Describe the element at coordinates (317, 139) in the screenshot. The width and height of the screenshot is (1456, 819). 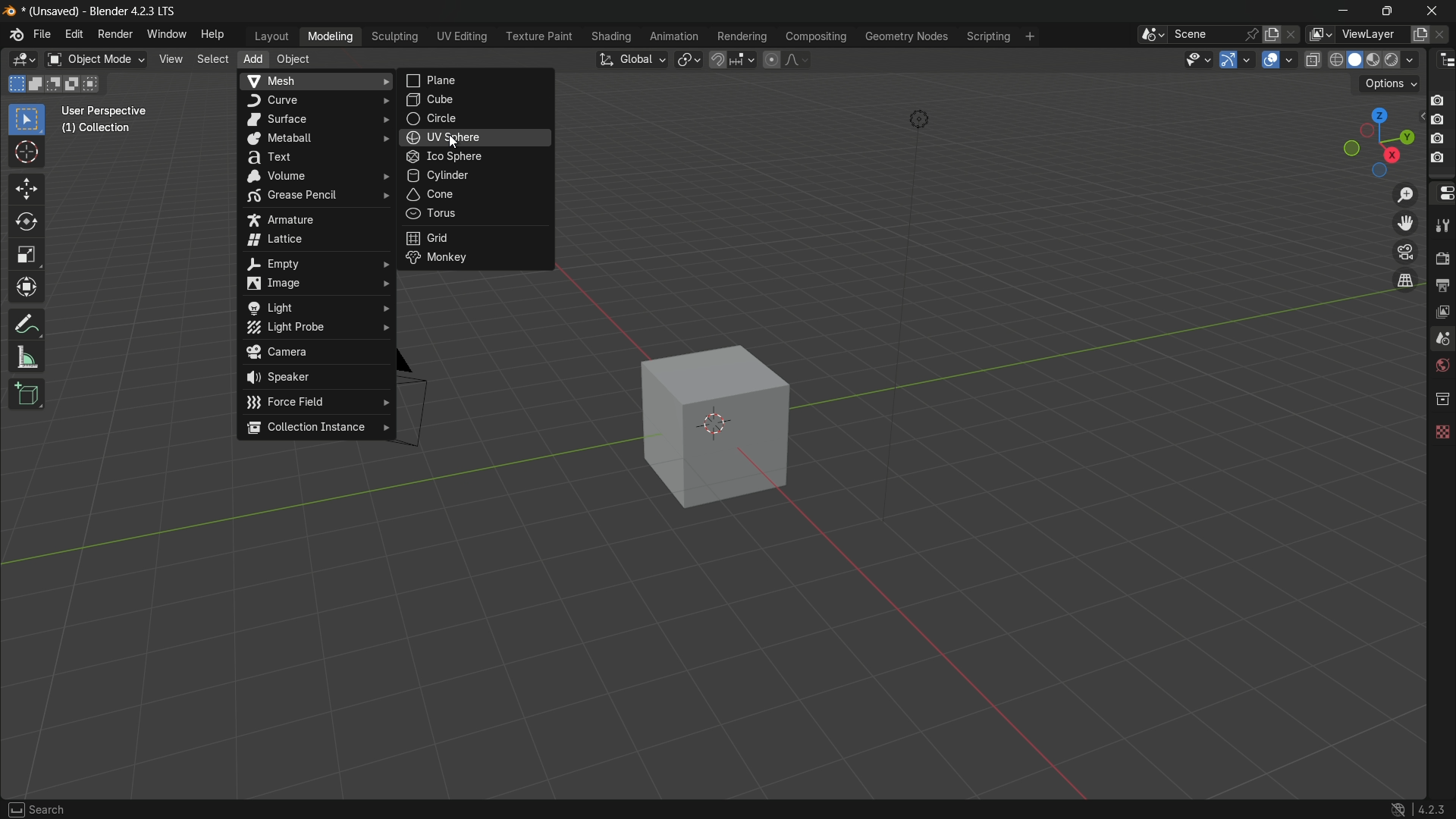
I see `metaball` at that location.